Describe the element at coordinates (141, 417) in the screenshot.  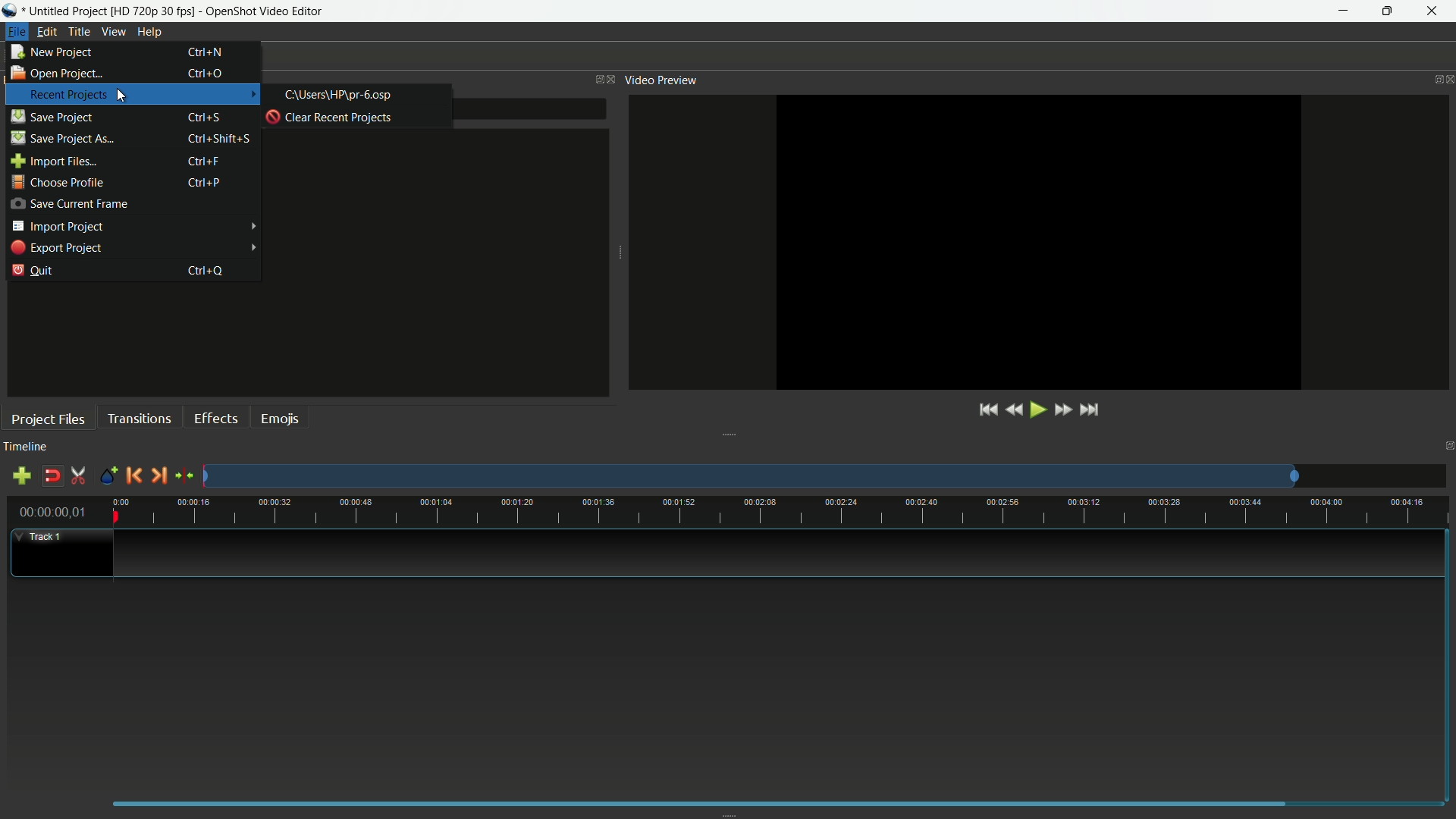
I see `transitions` at that location.